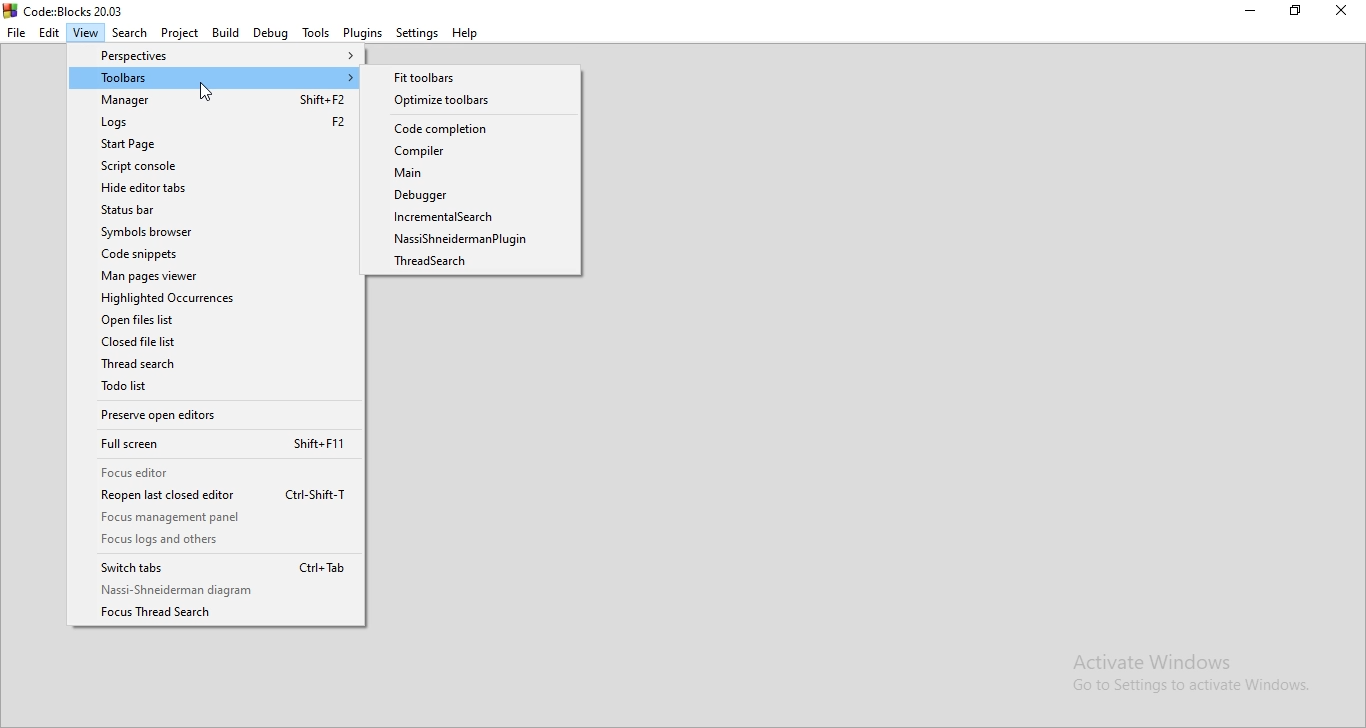 The height and width of the screenshot is (728, 1366). What do you see at coordinates (269, 33) in the screenshot?
I see `Debug ` at bounding box center [269, 33].